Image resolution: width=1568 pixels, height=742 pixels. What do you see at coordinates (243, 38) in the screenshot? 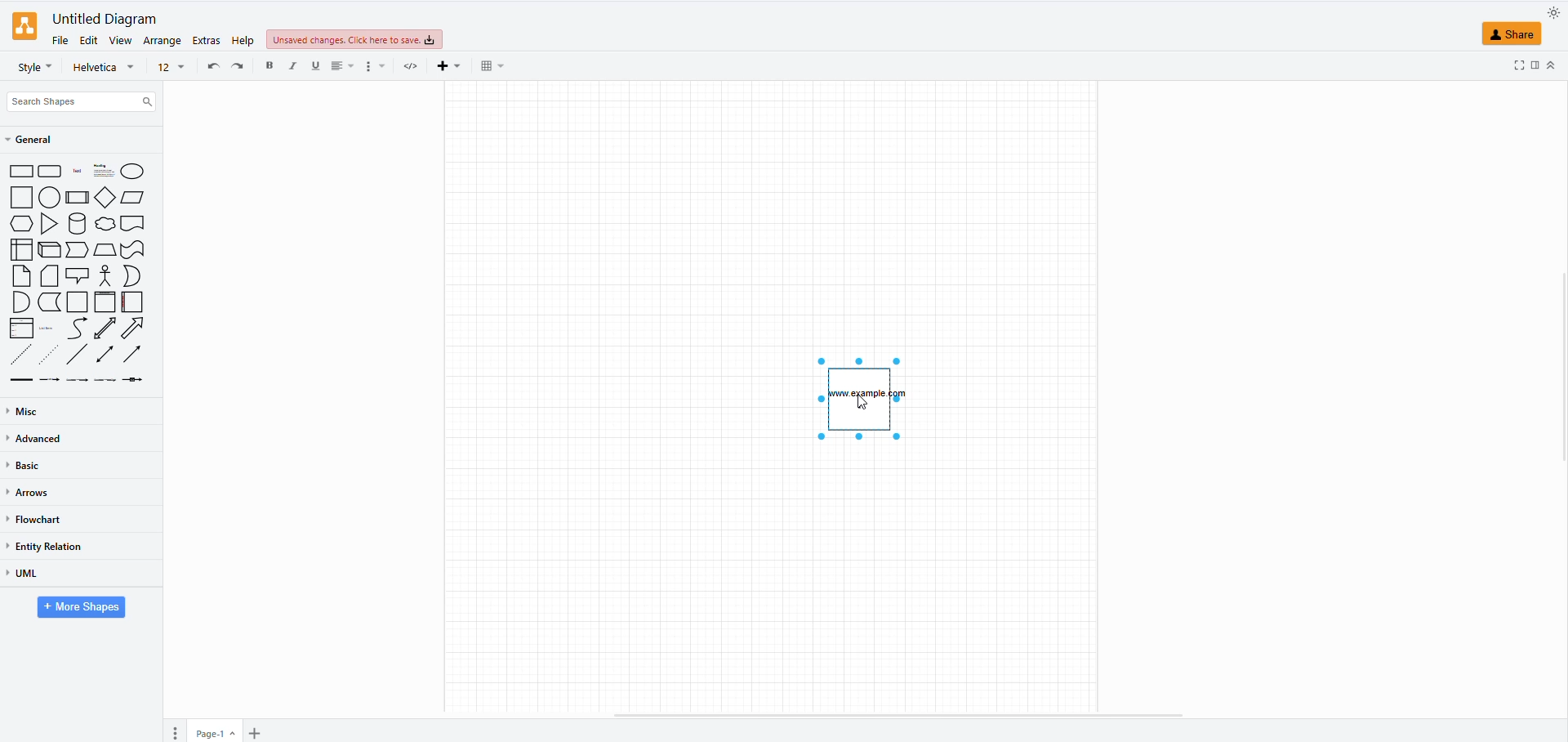
I see `help` at bounding box center [243, 38].